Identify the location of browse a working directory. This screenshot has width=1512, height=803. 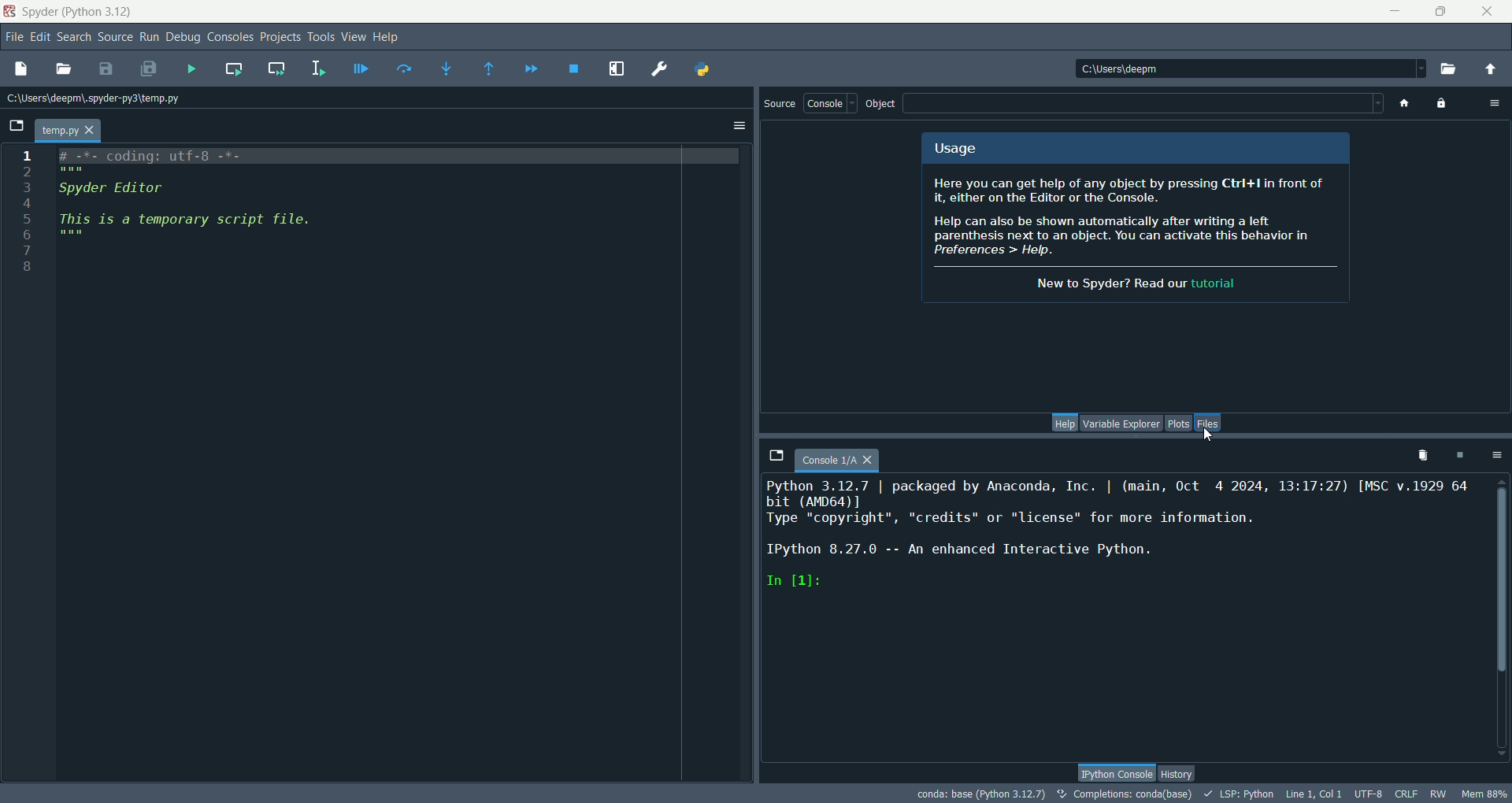
(1448, 69).